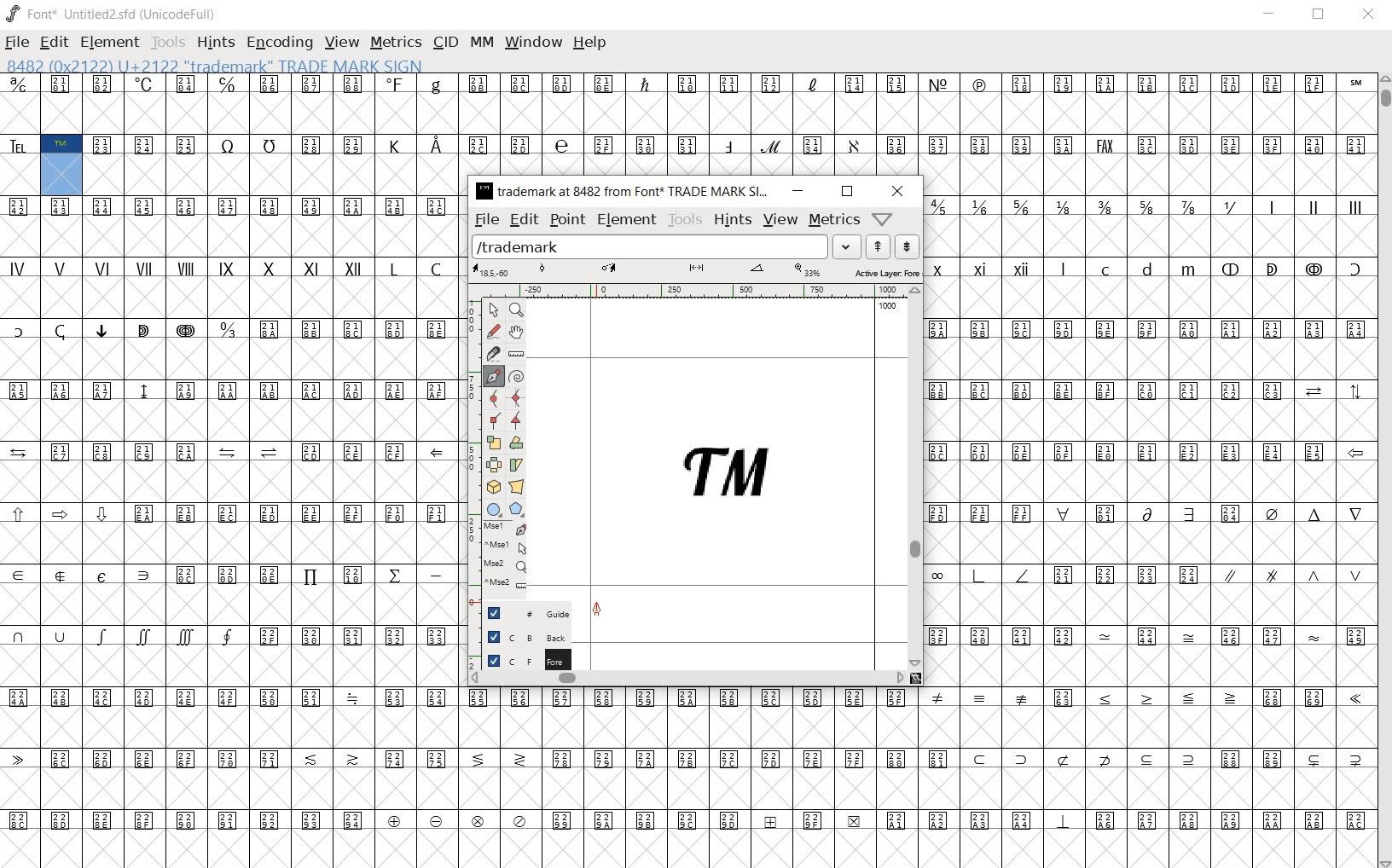 This screenshot has width=1392, height=868. Describe the element at coordinates (110, 14) in the screenshot. I see `font* Untitled2.sfd (unicodeFull)` at that location.